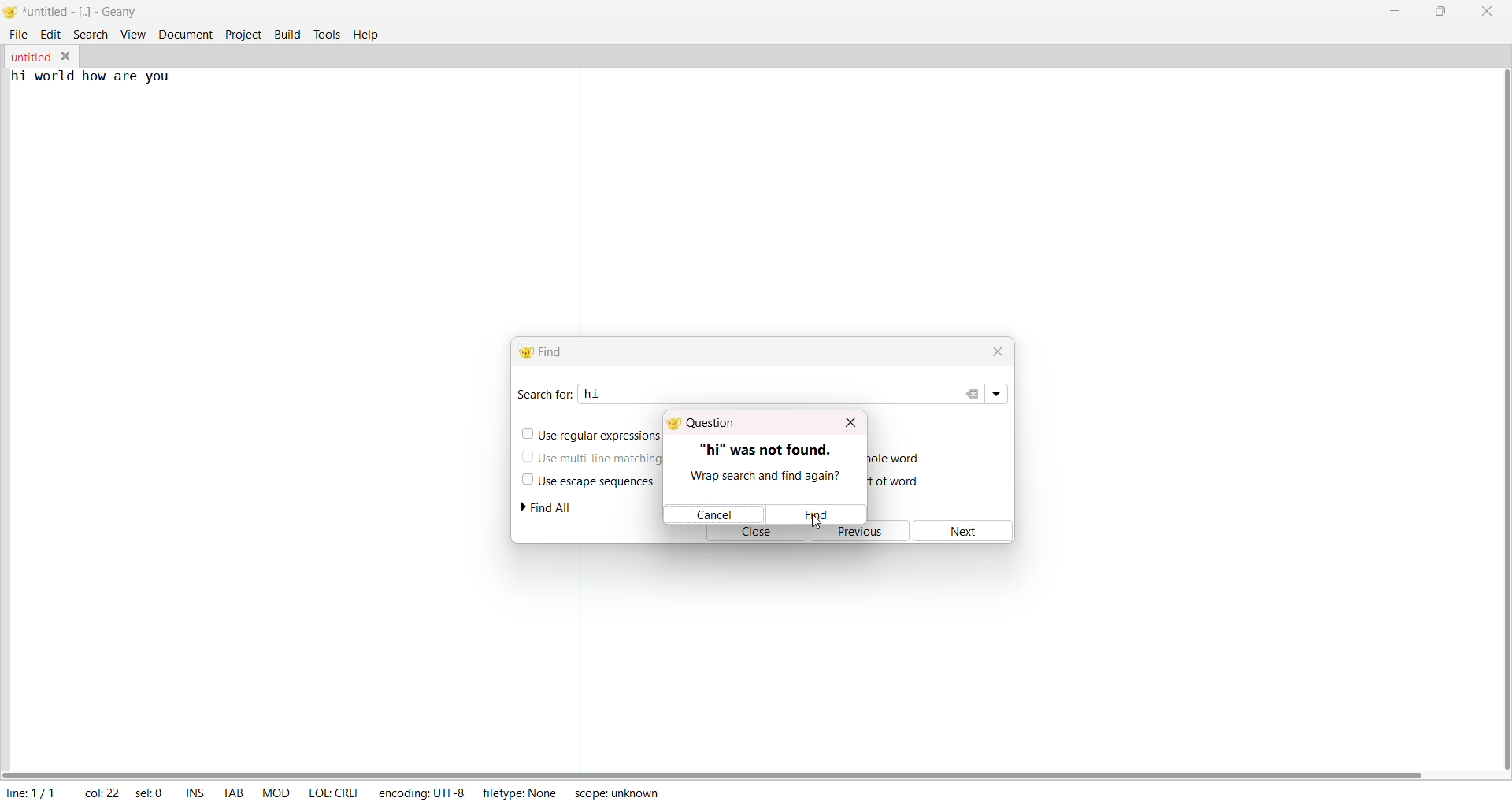 Image resolution: width=1512 pixels, height=802 pixels. Describe the element at coordinates (82, 10) in the screenshot. I see `*untitled - [..] - geany` at that location.